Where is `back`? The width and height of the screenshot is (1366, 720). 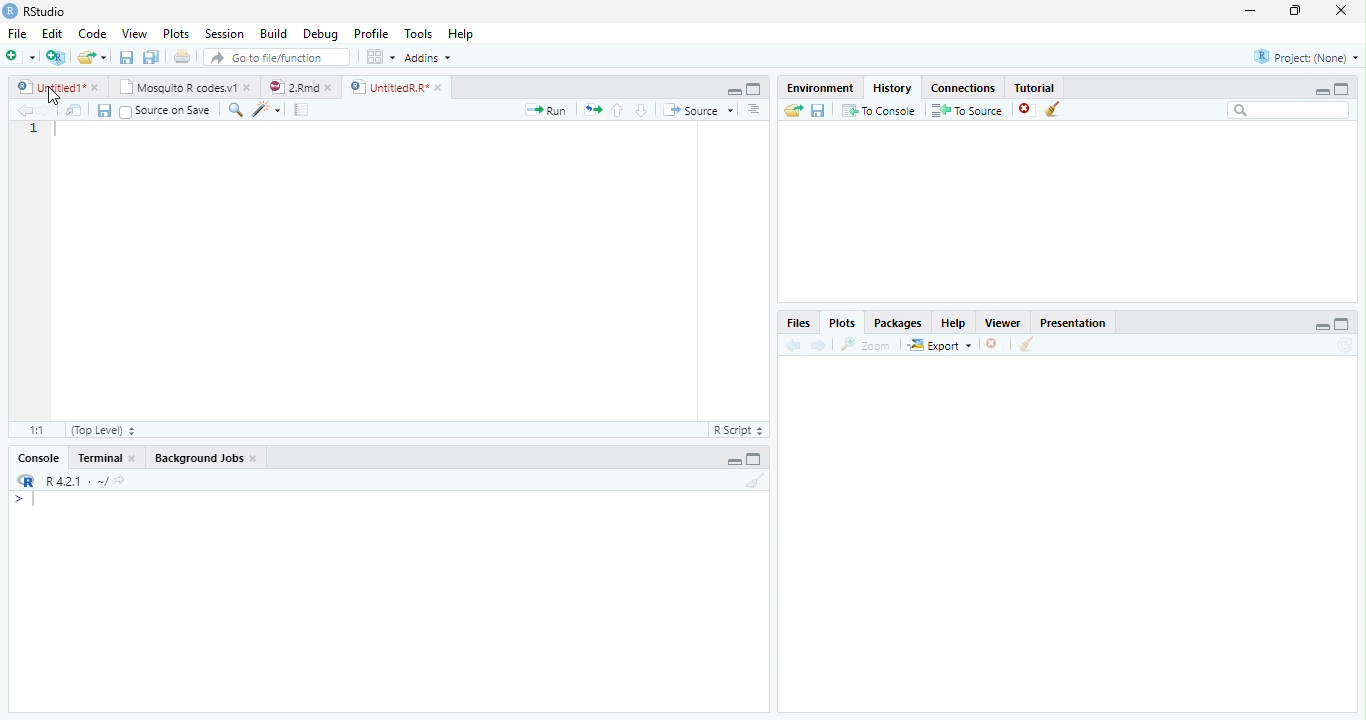 back is located at coordinates (22, 111).